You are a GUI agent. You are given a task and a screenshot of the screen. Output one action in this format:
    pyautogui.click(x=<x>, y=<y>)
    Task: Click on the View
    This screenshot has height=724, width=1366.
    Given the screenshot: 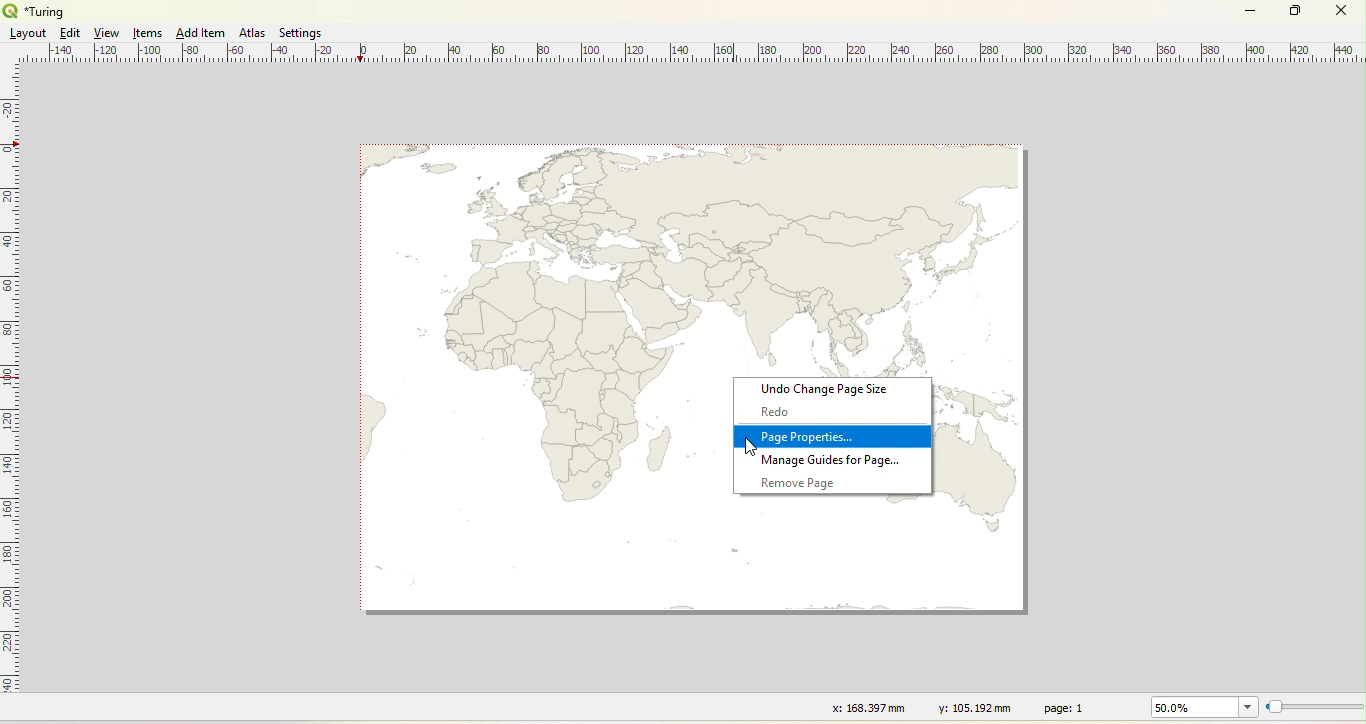 What is the action you would take?
    pyautogui.click(x=108, y=33)
    